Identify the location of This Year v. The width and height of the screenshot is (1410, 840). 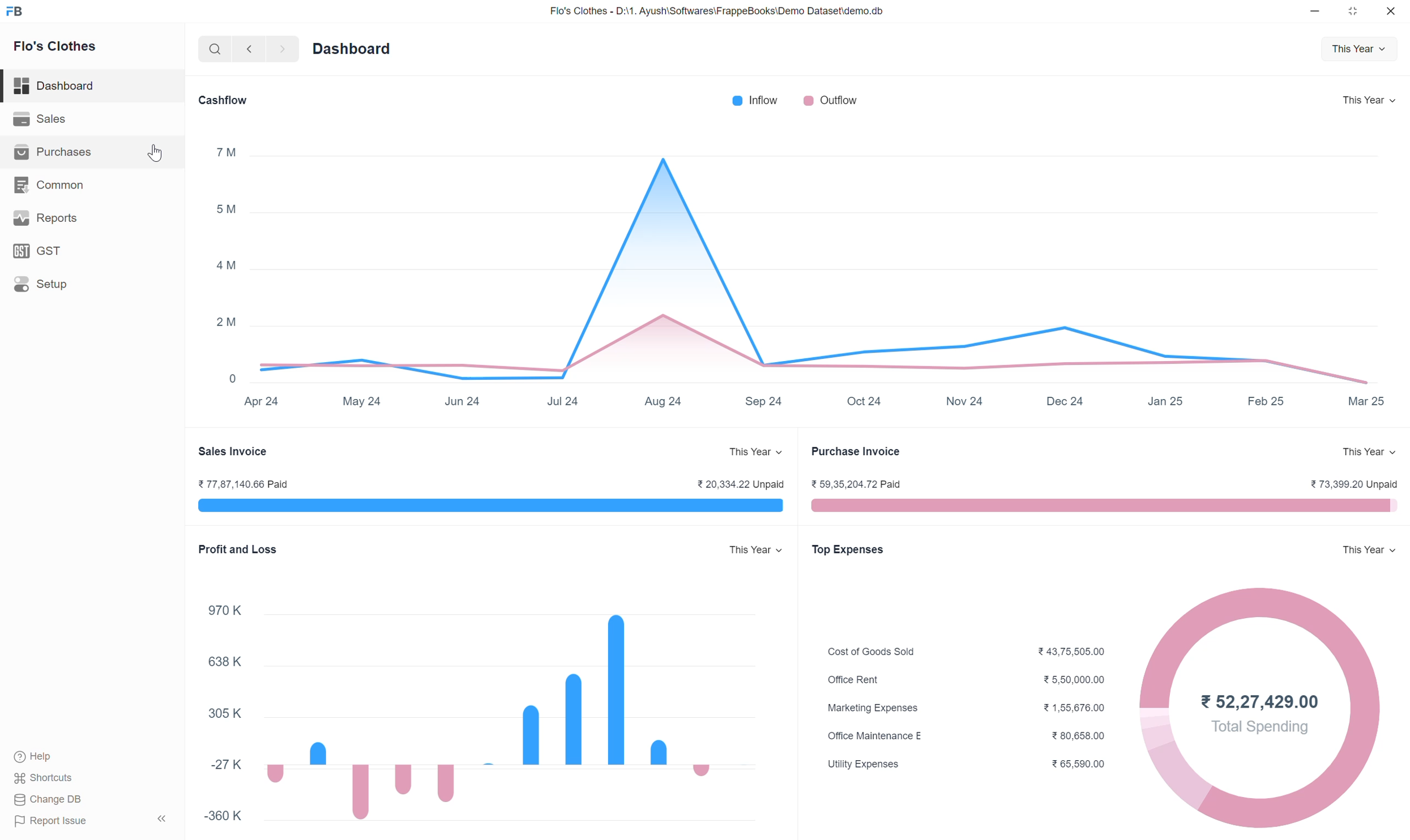
(747, 551).